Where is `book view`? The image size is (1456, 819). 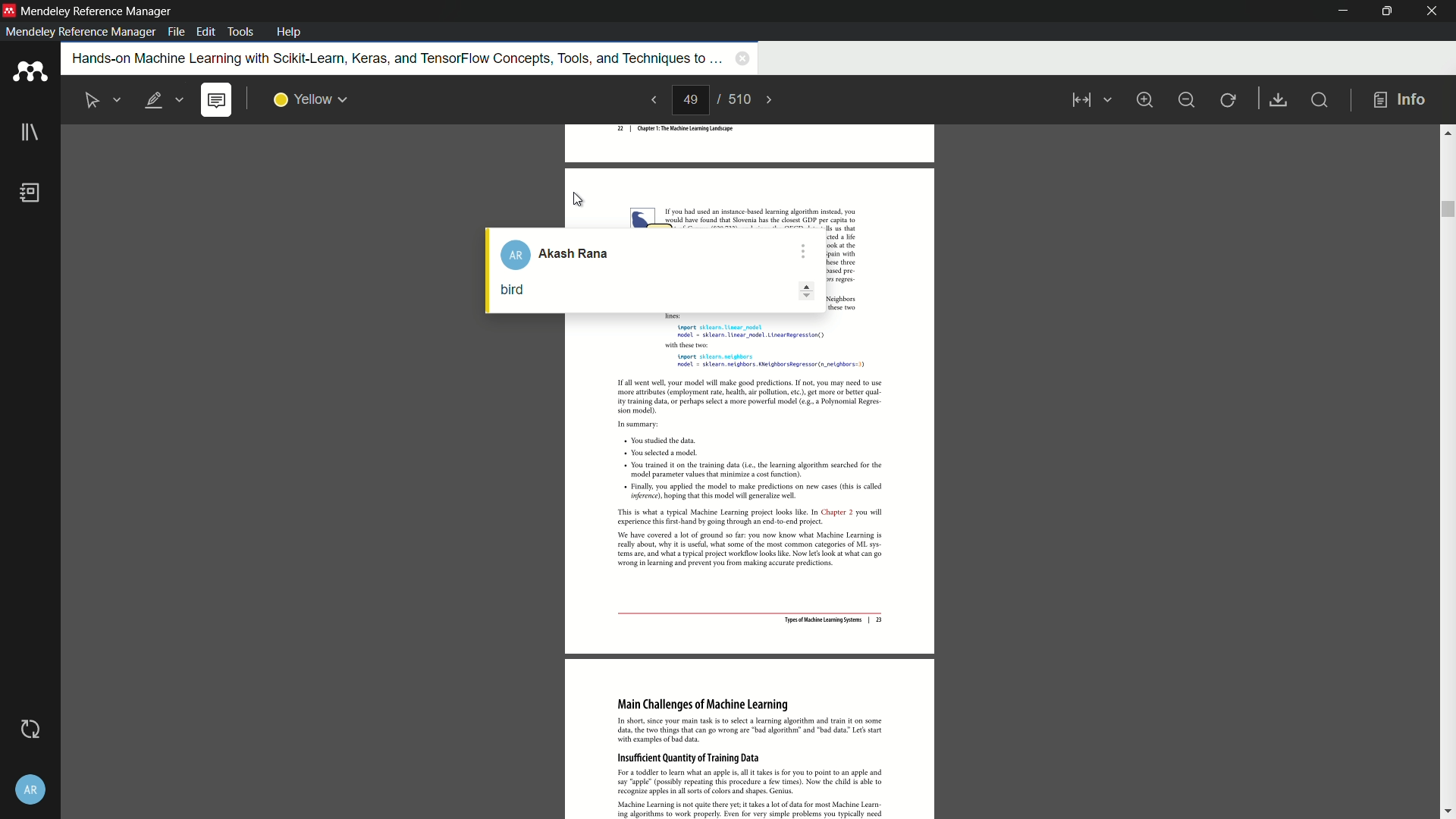 book view is located at coordinates (1087, 102).